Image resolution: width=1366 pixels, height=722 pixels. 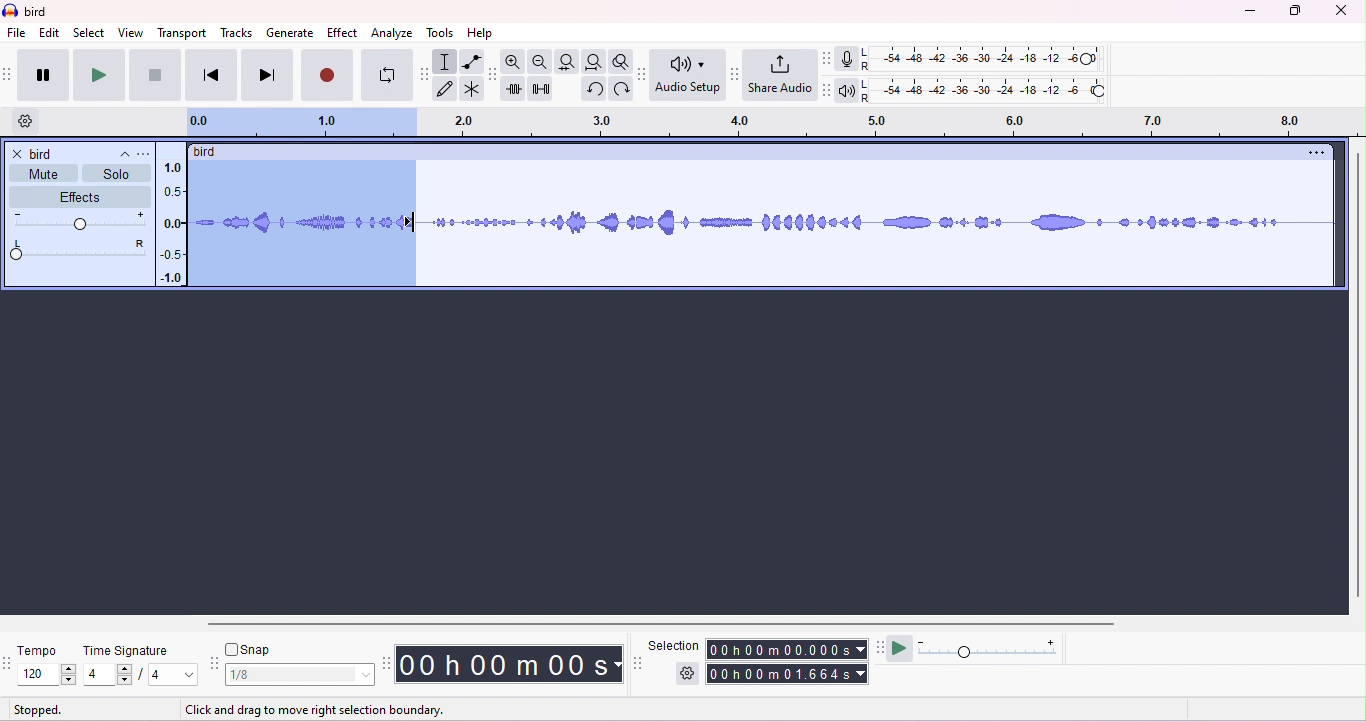 I want to click on 00h00m0.000s (start time) , so click(x=788, y=648).